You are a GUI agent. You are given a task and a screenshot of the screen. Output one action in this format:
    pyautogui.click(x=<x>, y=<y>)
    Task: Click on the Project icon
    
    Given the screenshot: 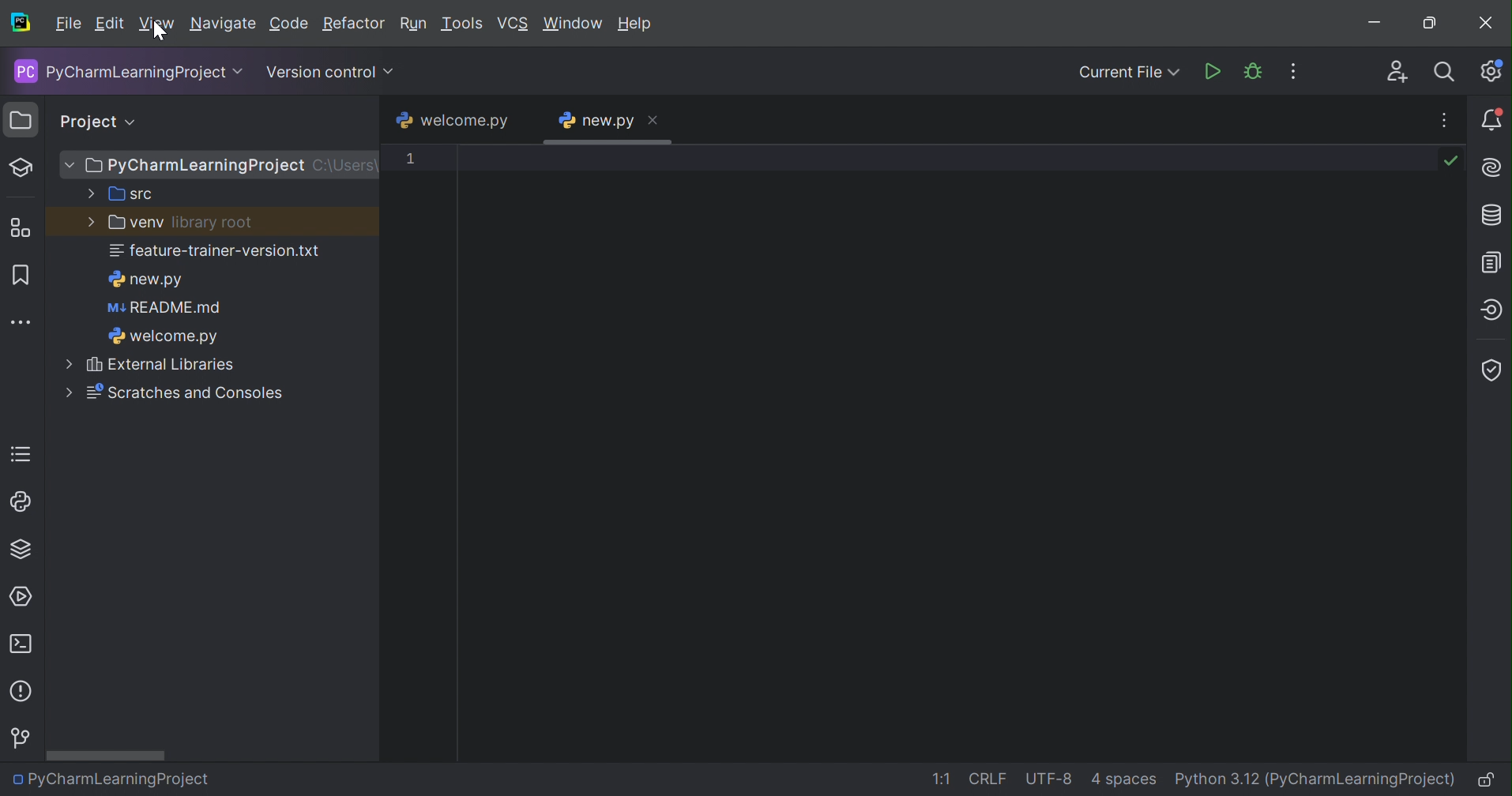 What is the action you would take?
    pyautogui.click(x=17, y=121)
    